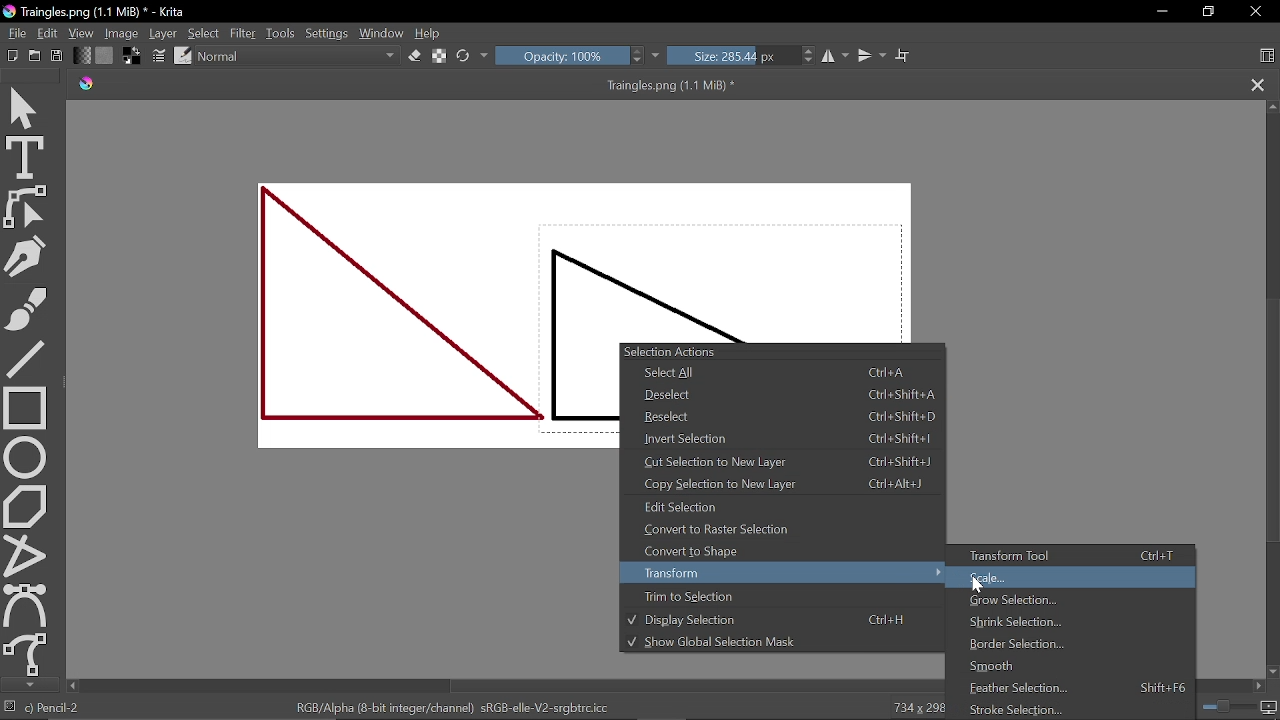 This screenshot has width=1280, height=720. Describe the element at coordinates (327, 33) in the screenshot. I see `Settings` at that location.